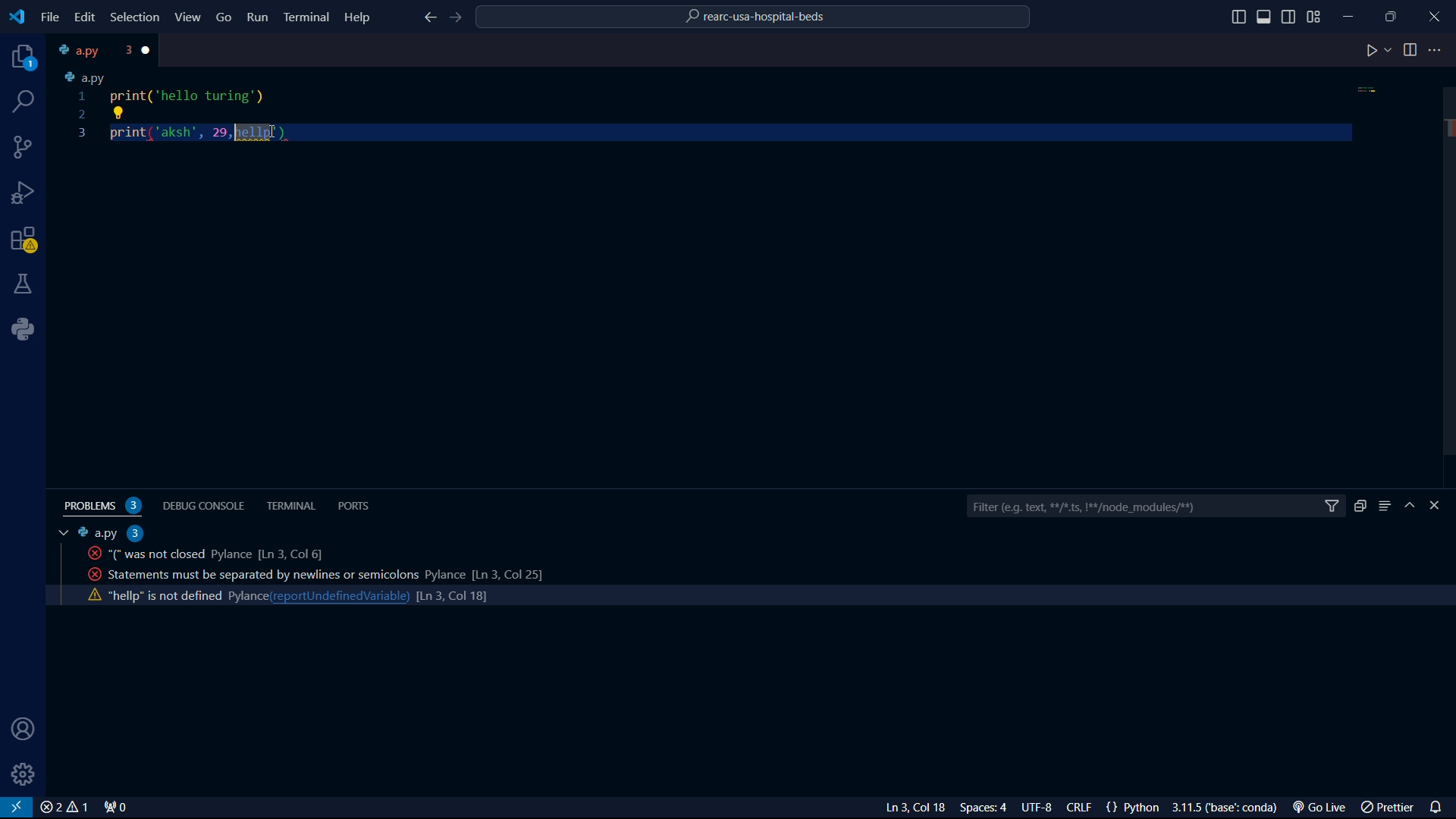 The height and width of the screenshot is (819, 1456). I want to click on problems 2, so click(106, 506).